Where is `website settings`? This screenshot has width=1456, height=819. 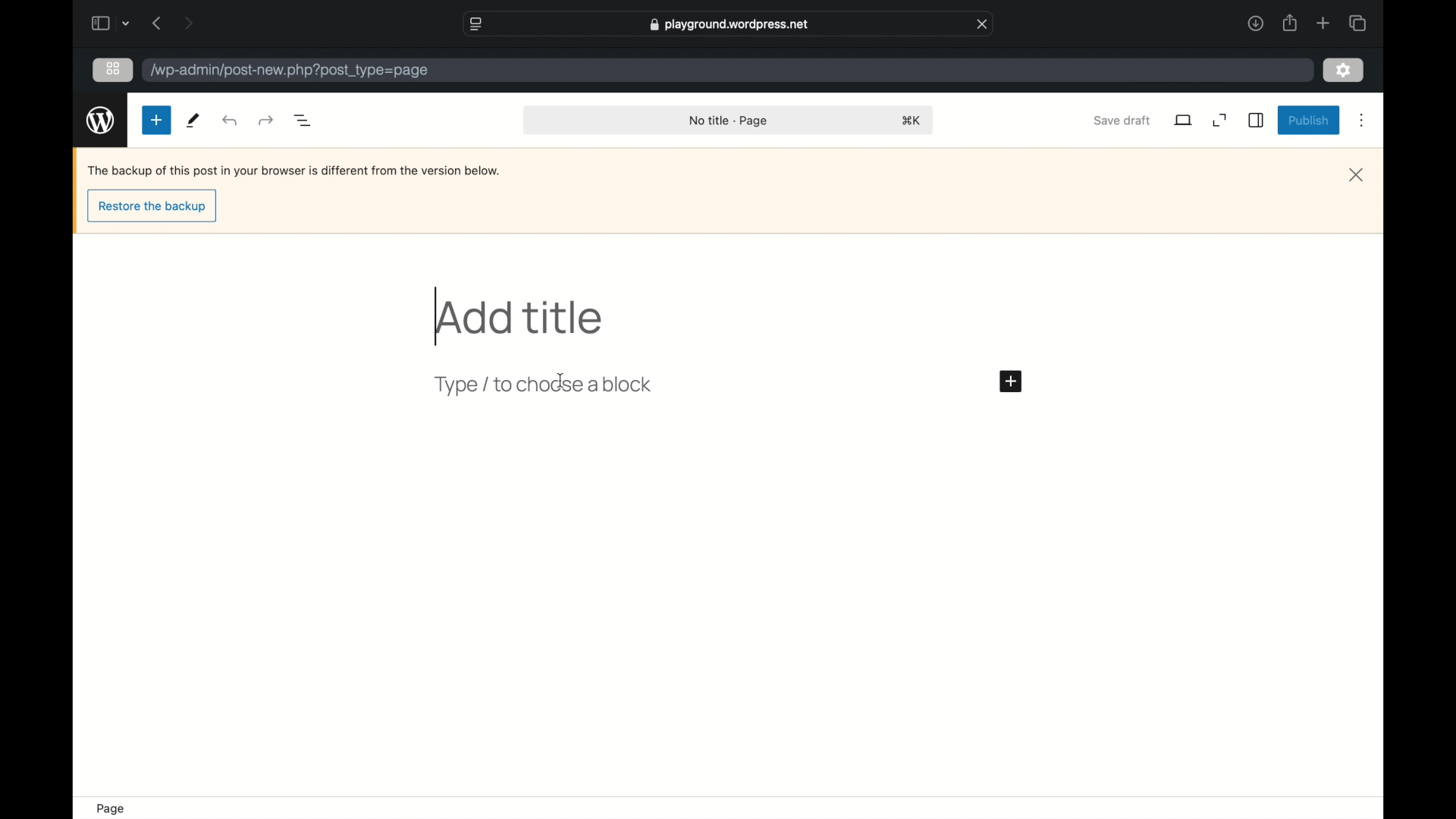 website settings is located at coordinates (475, 23).